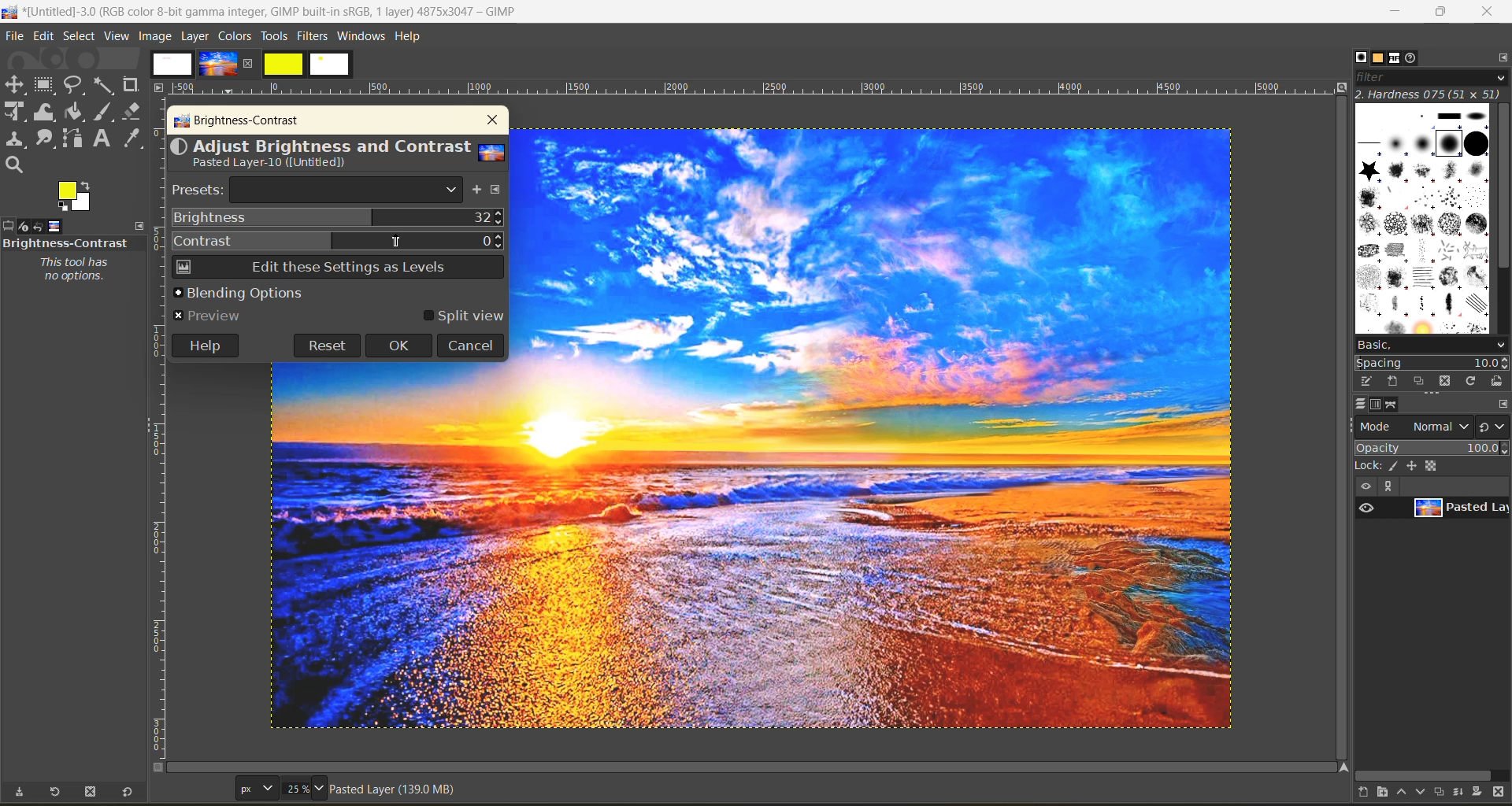 This screenshot has width=1512, height=806. What do you see at coordinates (881, 429) in the screenshot?
I see `image` at bounding box center [881, 429].